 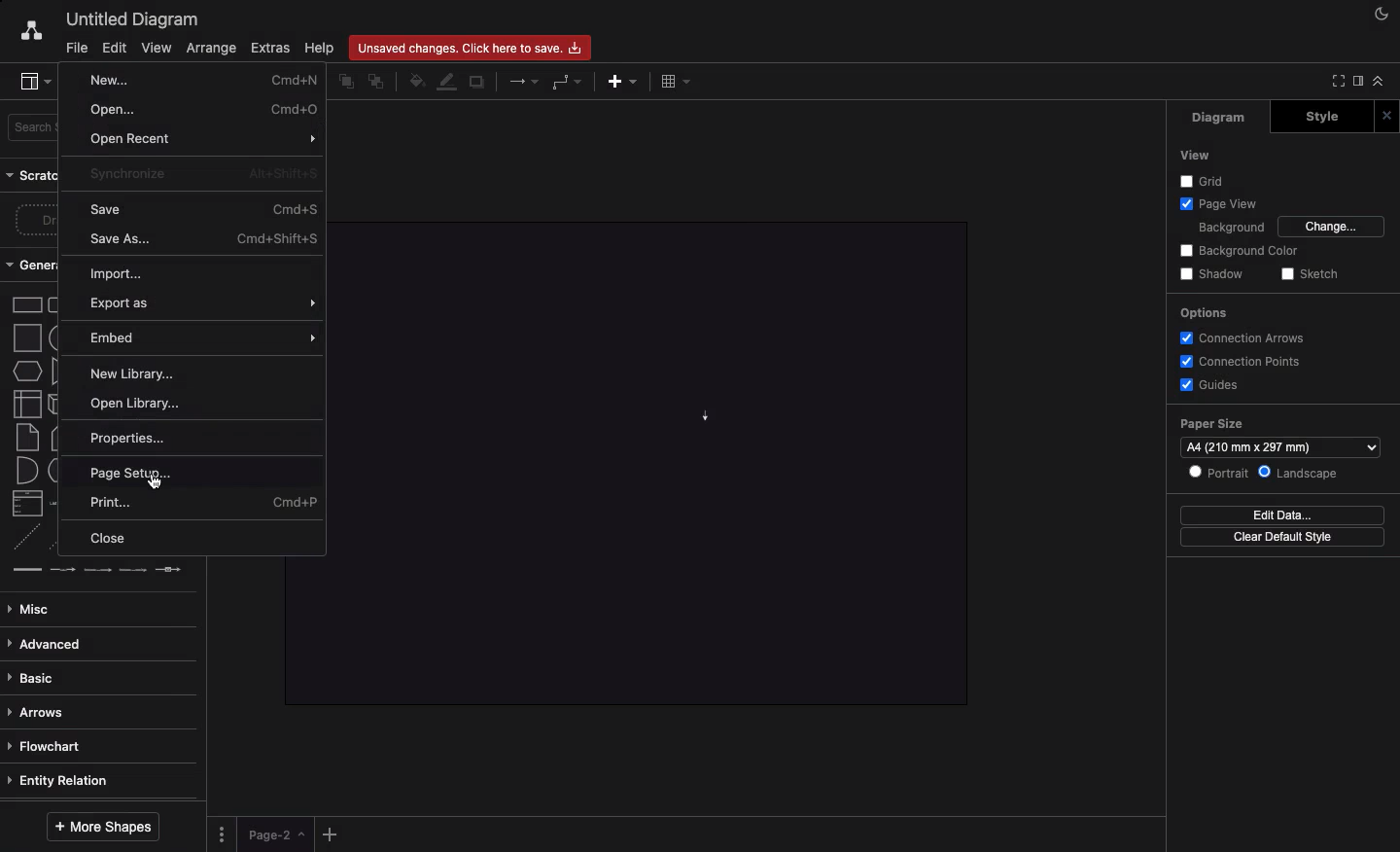 What do you see at coordinates (109, 112) in the screenshot?
I see `Open` at bounding box center [109, 112].